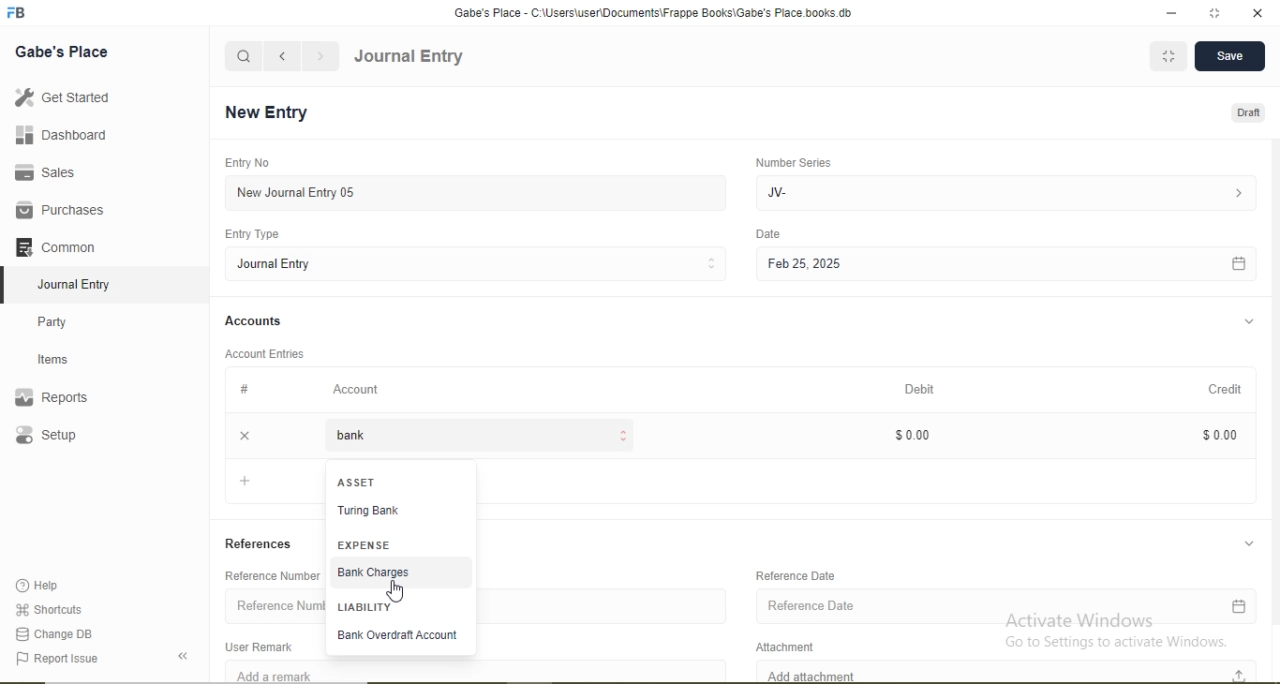 The width and height of the screenshot is (1280, 684). What do you see at coordinates (798, 575) in the screenshot?
I see `Reference Date` at bounding box center [798, 575].